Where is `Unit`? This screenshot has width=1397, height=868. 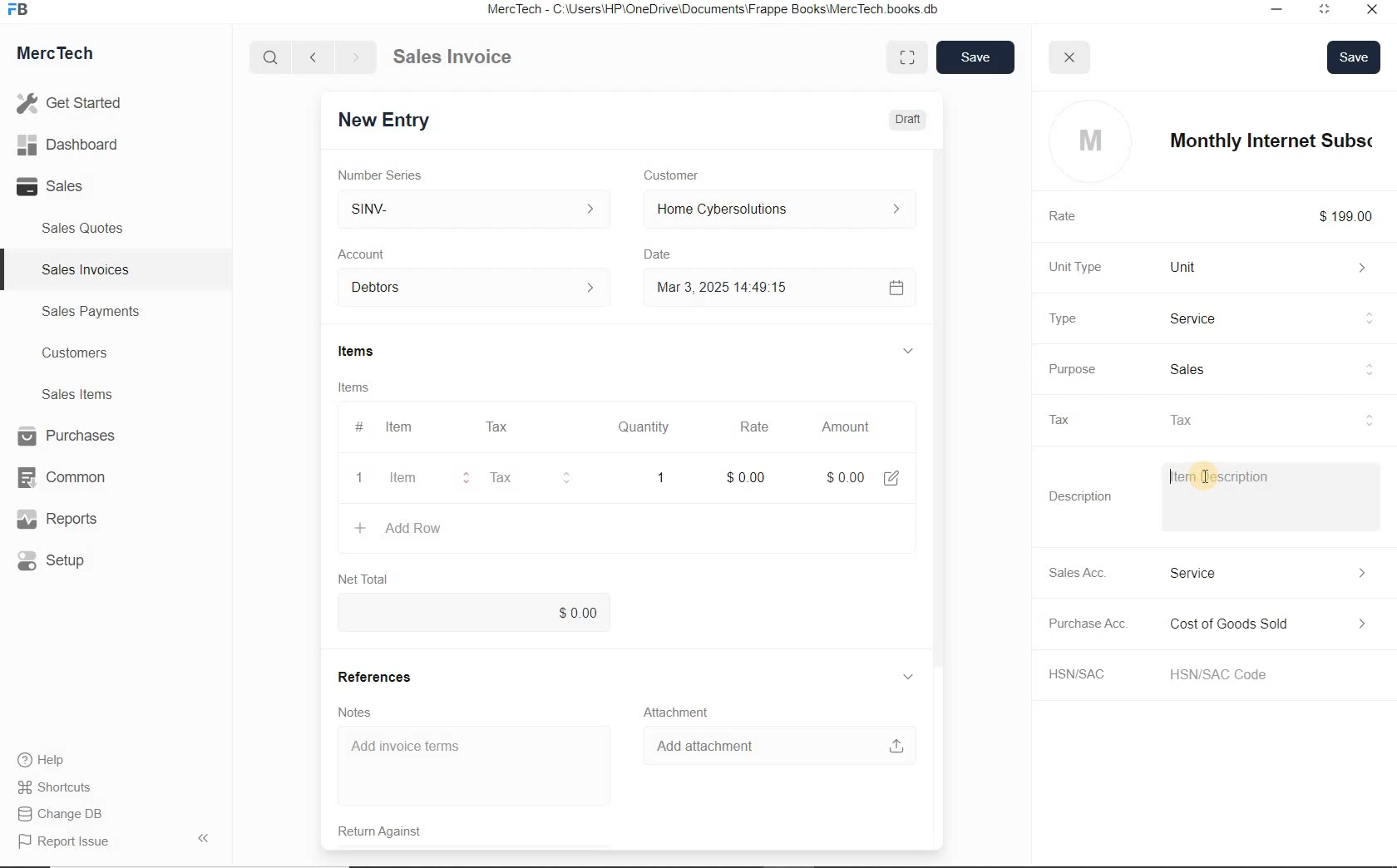
Unit is located at coordinates (1260, 267).